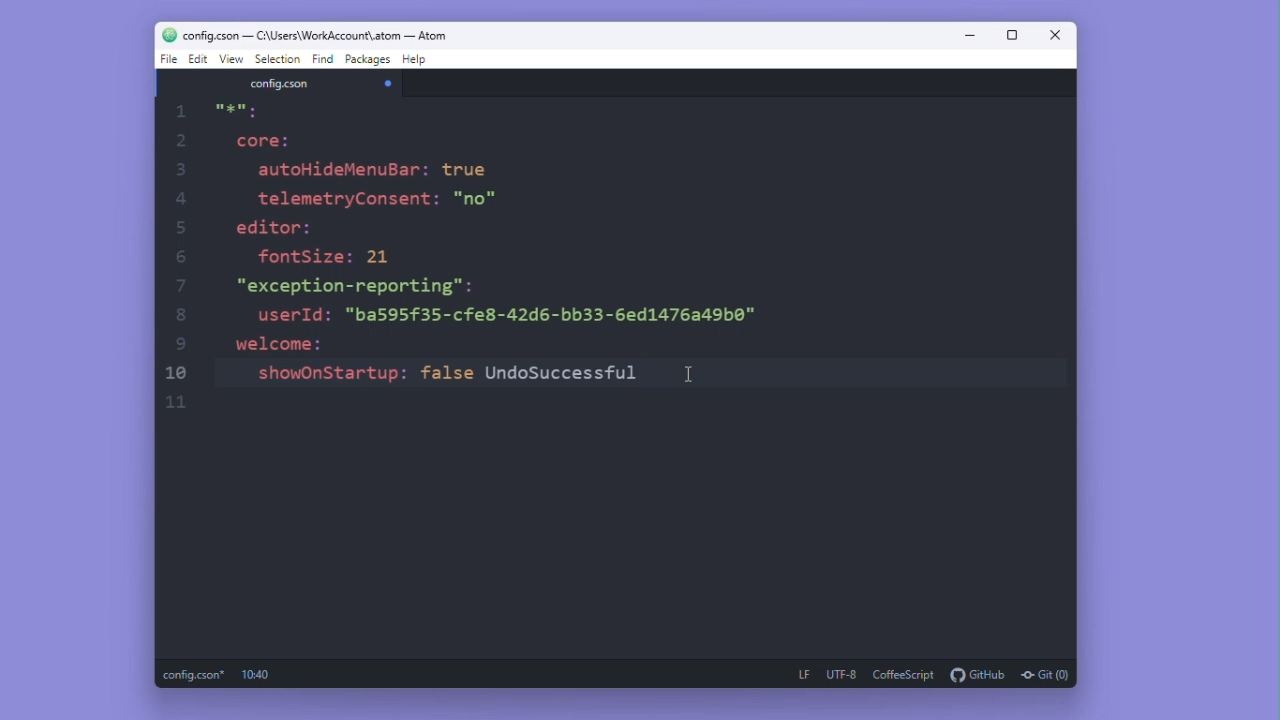 The width and height of the screenshot is (1280, 720). What do you see at coordinates (800, 673) in the screenshot?
I see `LF` at bounding box center [800, 673].